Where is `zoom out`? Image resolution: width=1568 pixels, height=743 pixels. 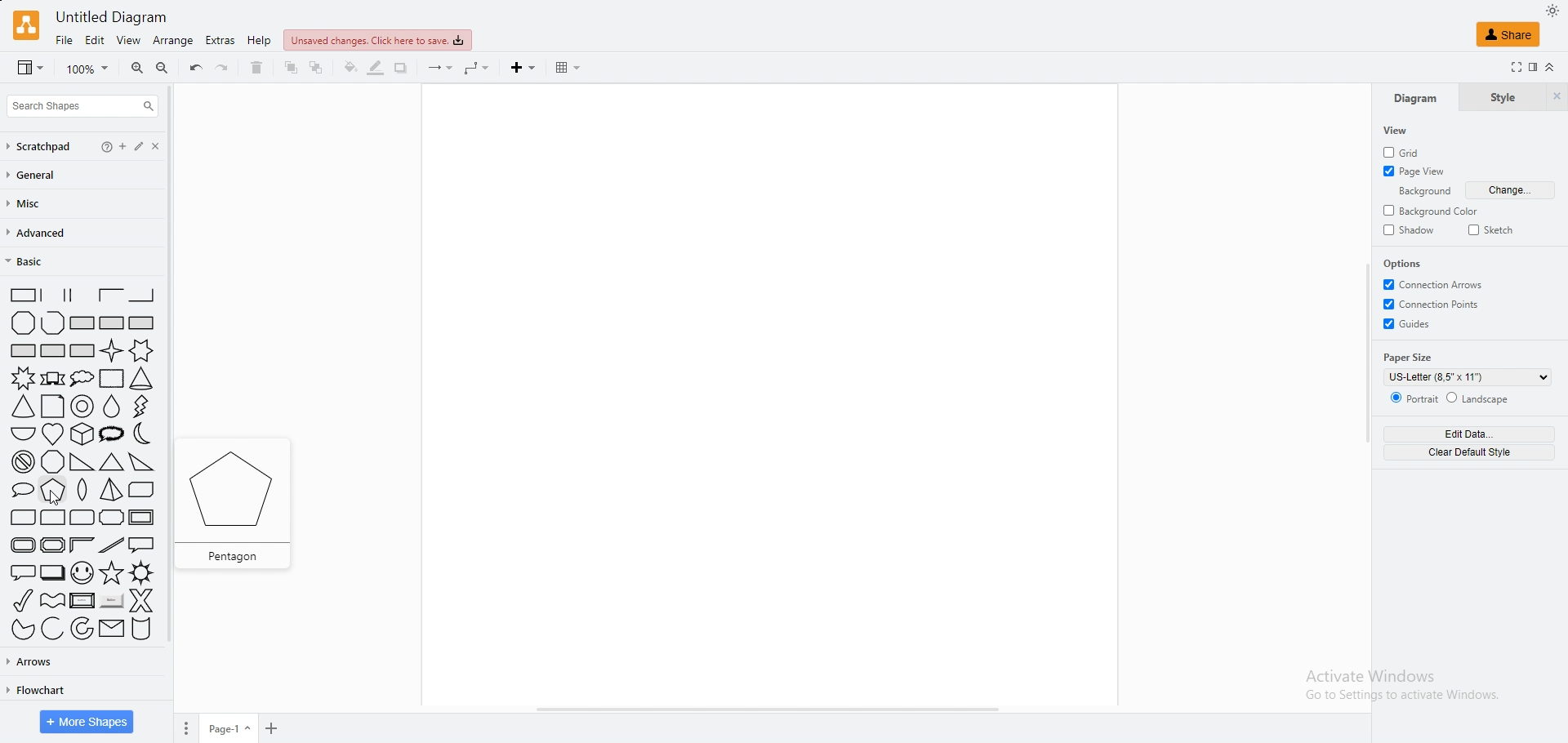 zoom out is located at coordinates (162, 69).